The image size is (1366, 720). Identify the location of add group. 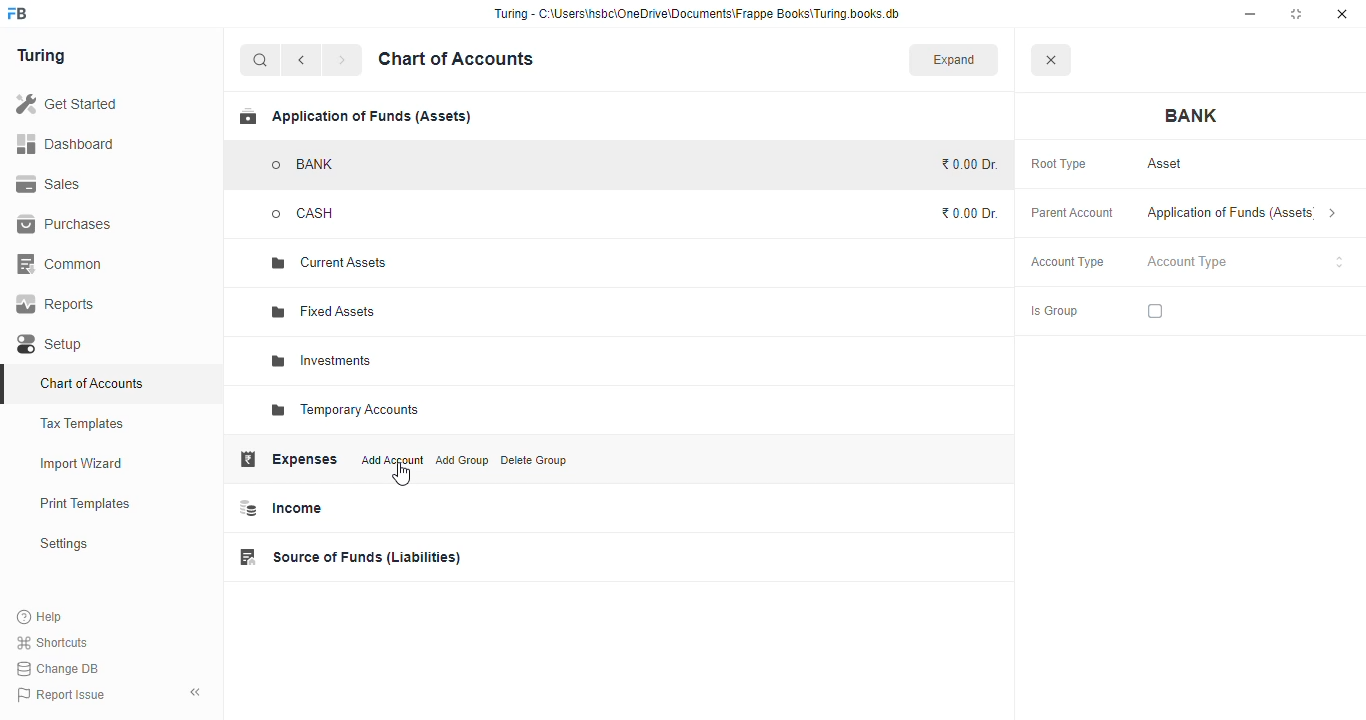
(462, 460).